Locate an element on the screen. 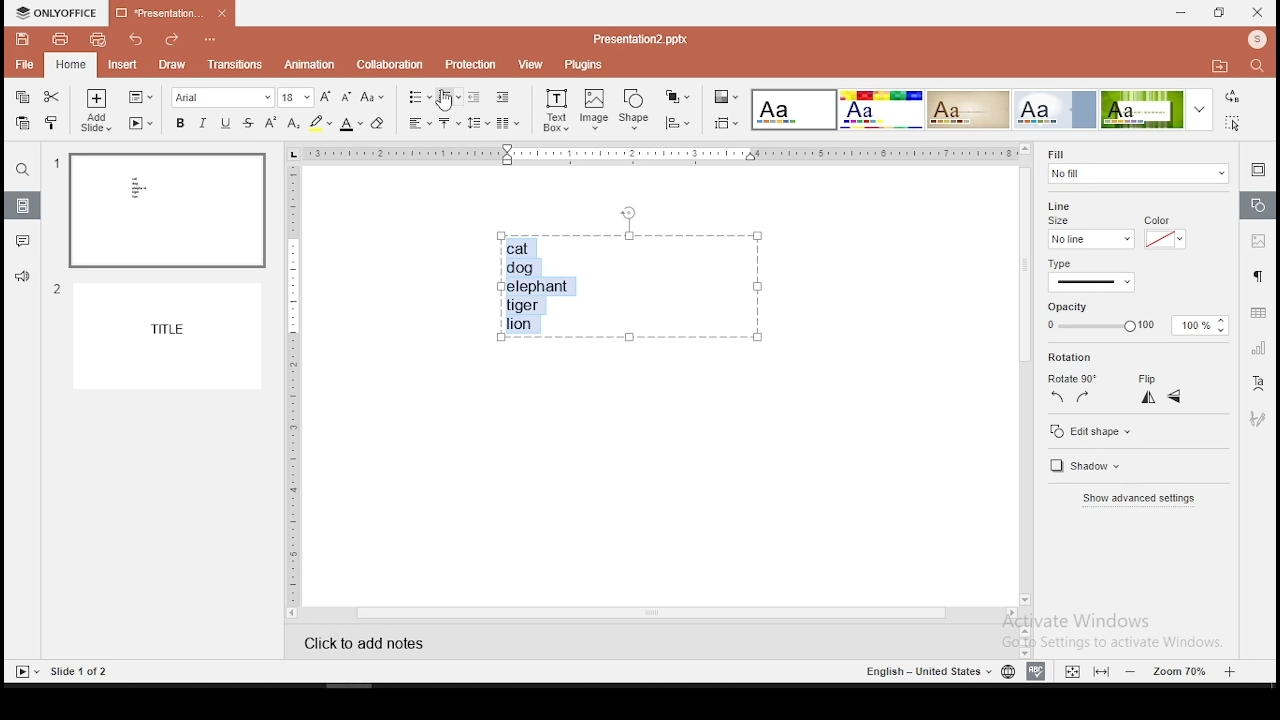 The width and height of the screenshot is (1280, 720). clone formatting is located at coordinates (52, 122).